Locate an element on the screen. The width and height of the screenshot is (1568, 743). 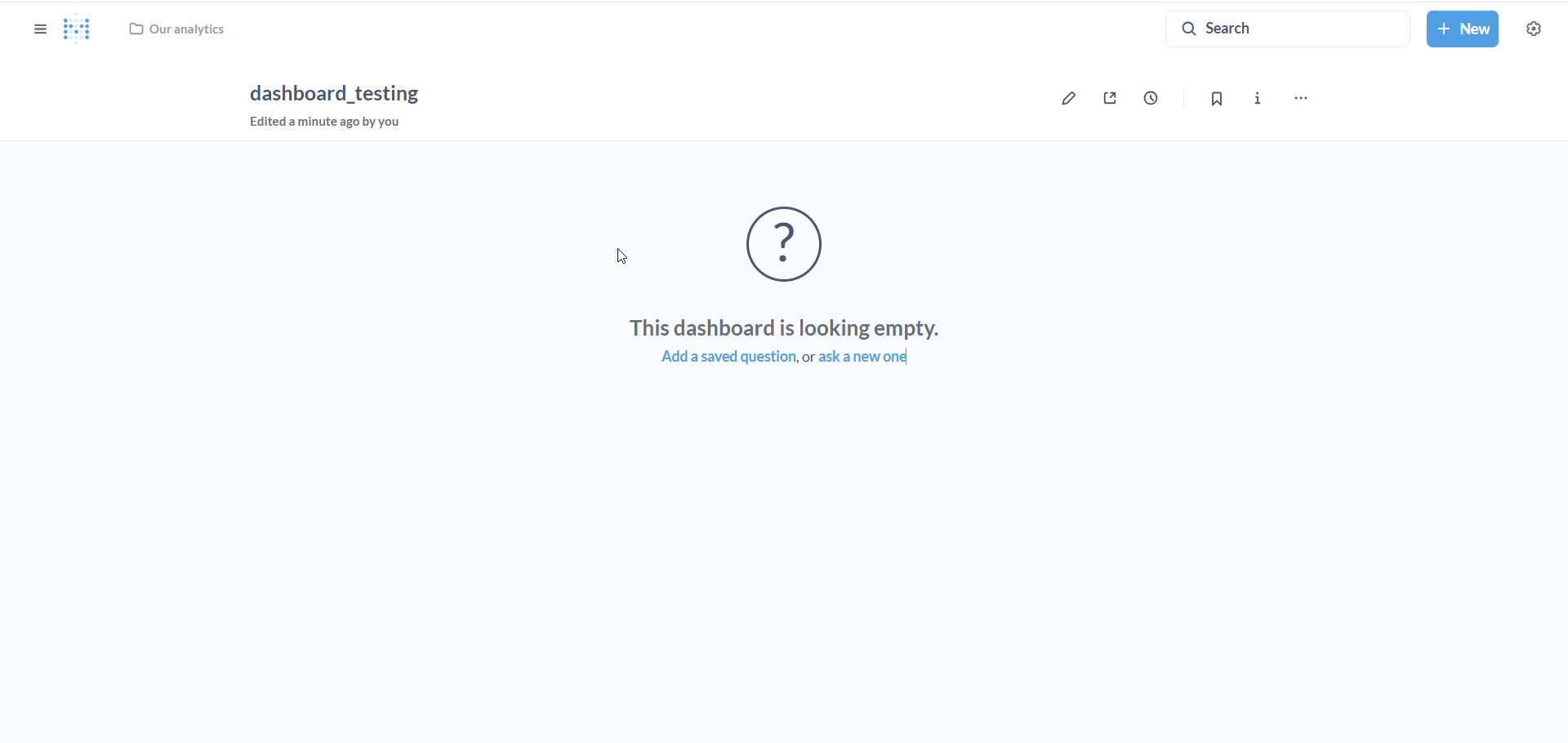
info is located at coordinates (1267, 100).